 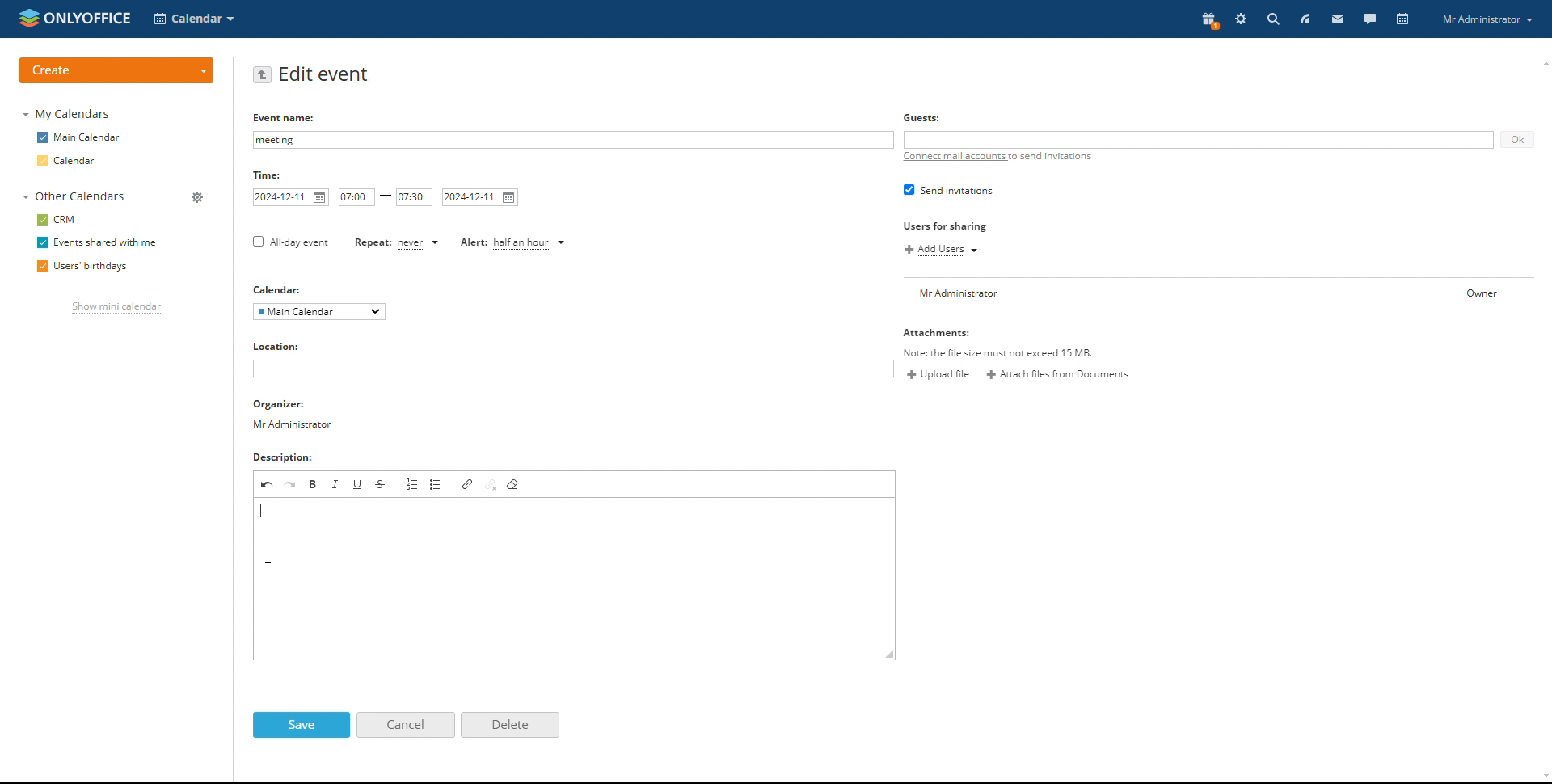 I want to click on manage, so click(x=197, y=199).